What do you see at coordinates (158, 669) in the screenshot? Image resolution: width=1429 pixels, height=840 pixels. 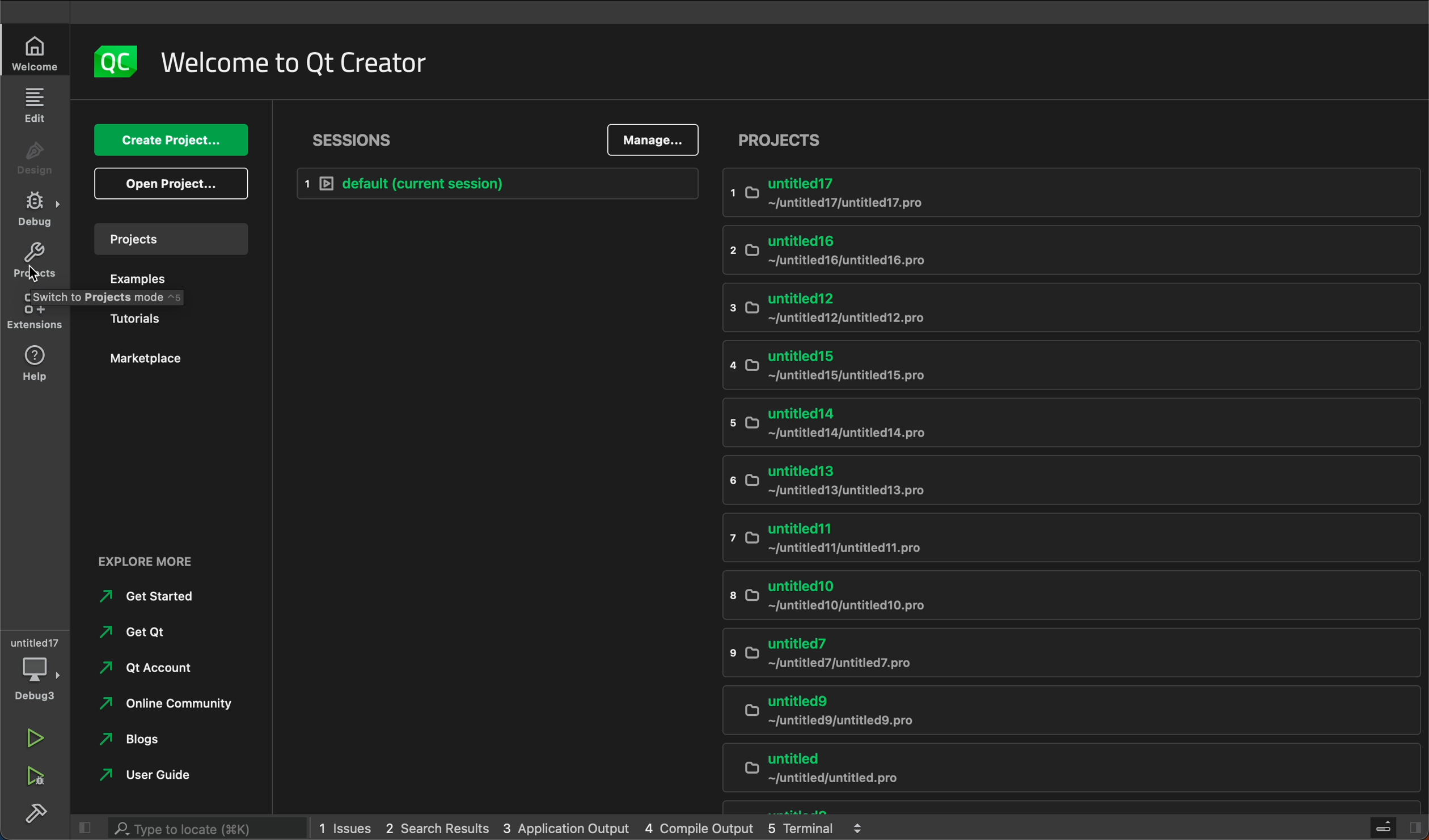 I see `qt account` at bounding box center [158, 669].